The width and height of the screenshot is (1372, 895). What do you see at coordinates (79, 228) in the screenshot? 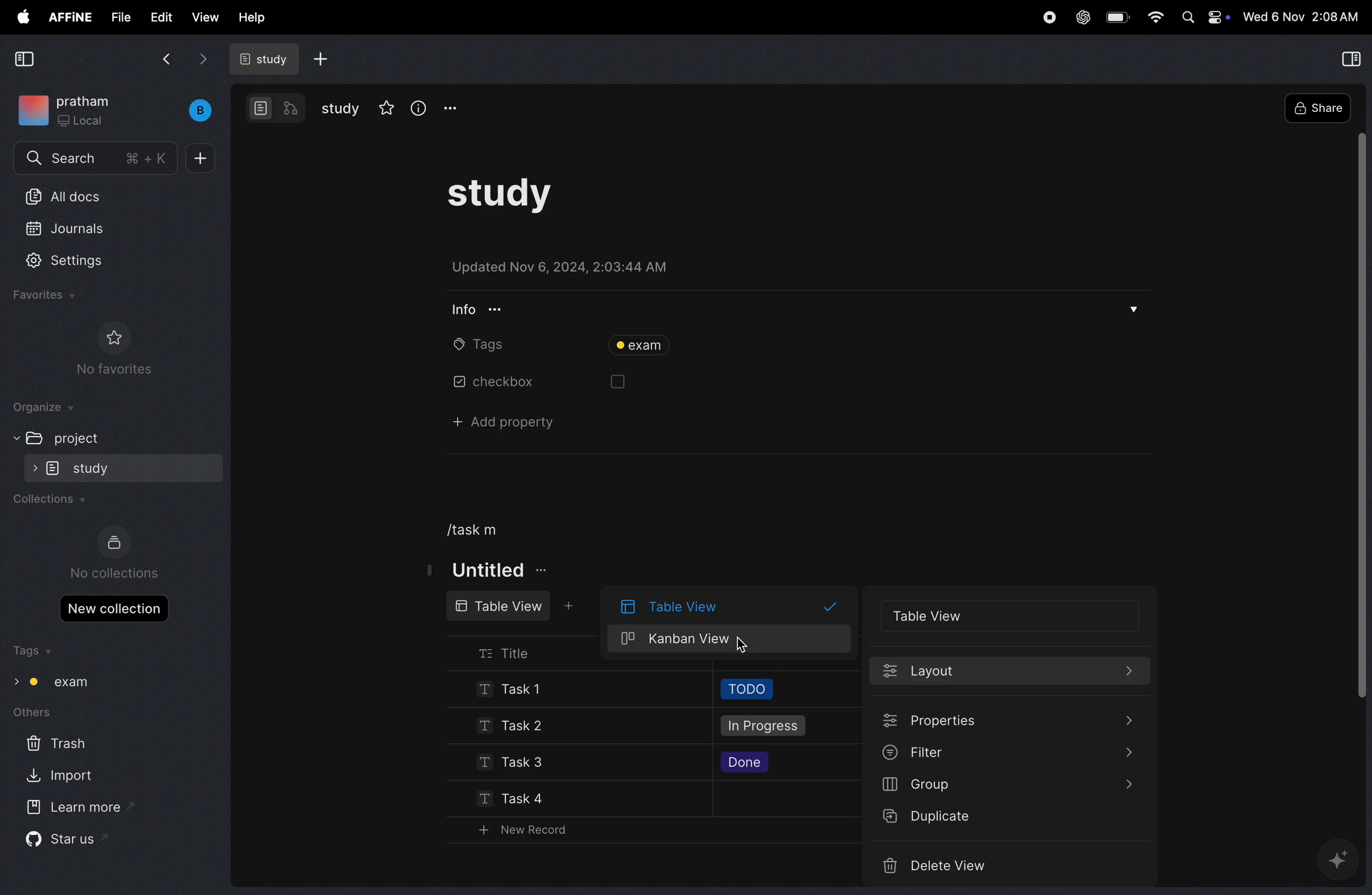
I see `jornals` at bounding box center [79, 228].